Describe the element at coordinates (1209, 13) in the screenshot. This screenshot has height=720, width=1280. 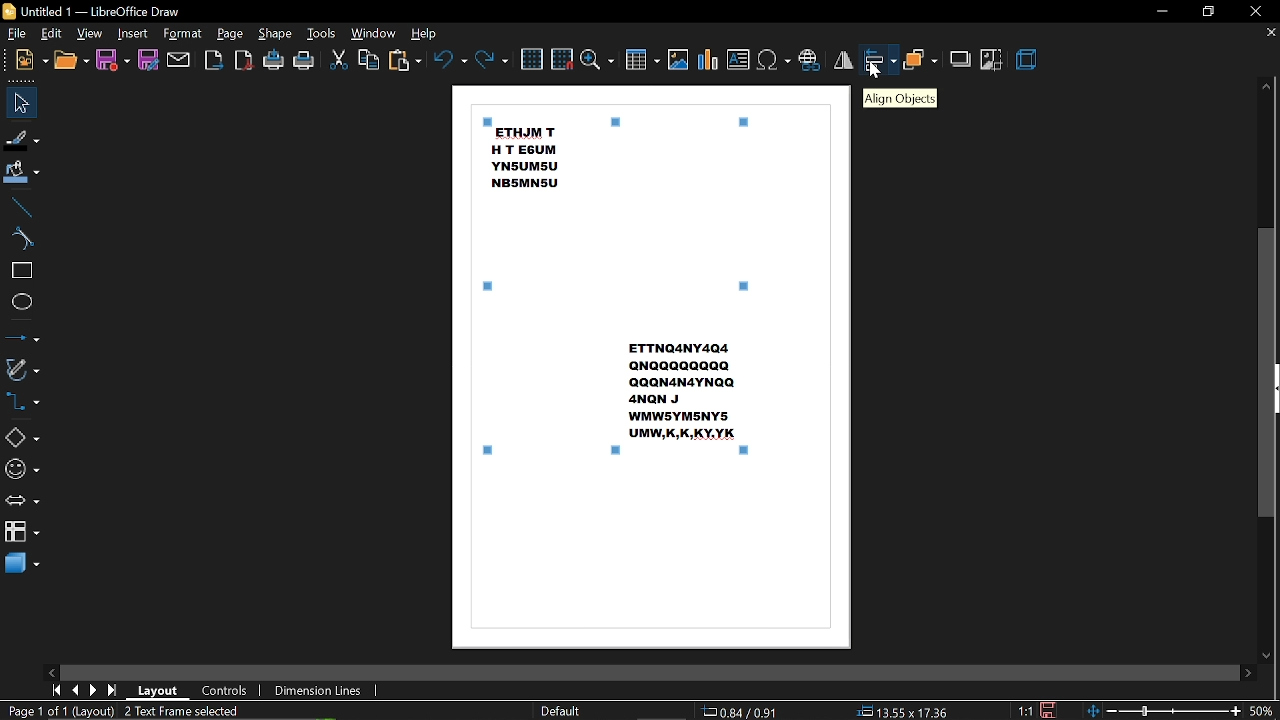
I see `restore down` at that location.